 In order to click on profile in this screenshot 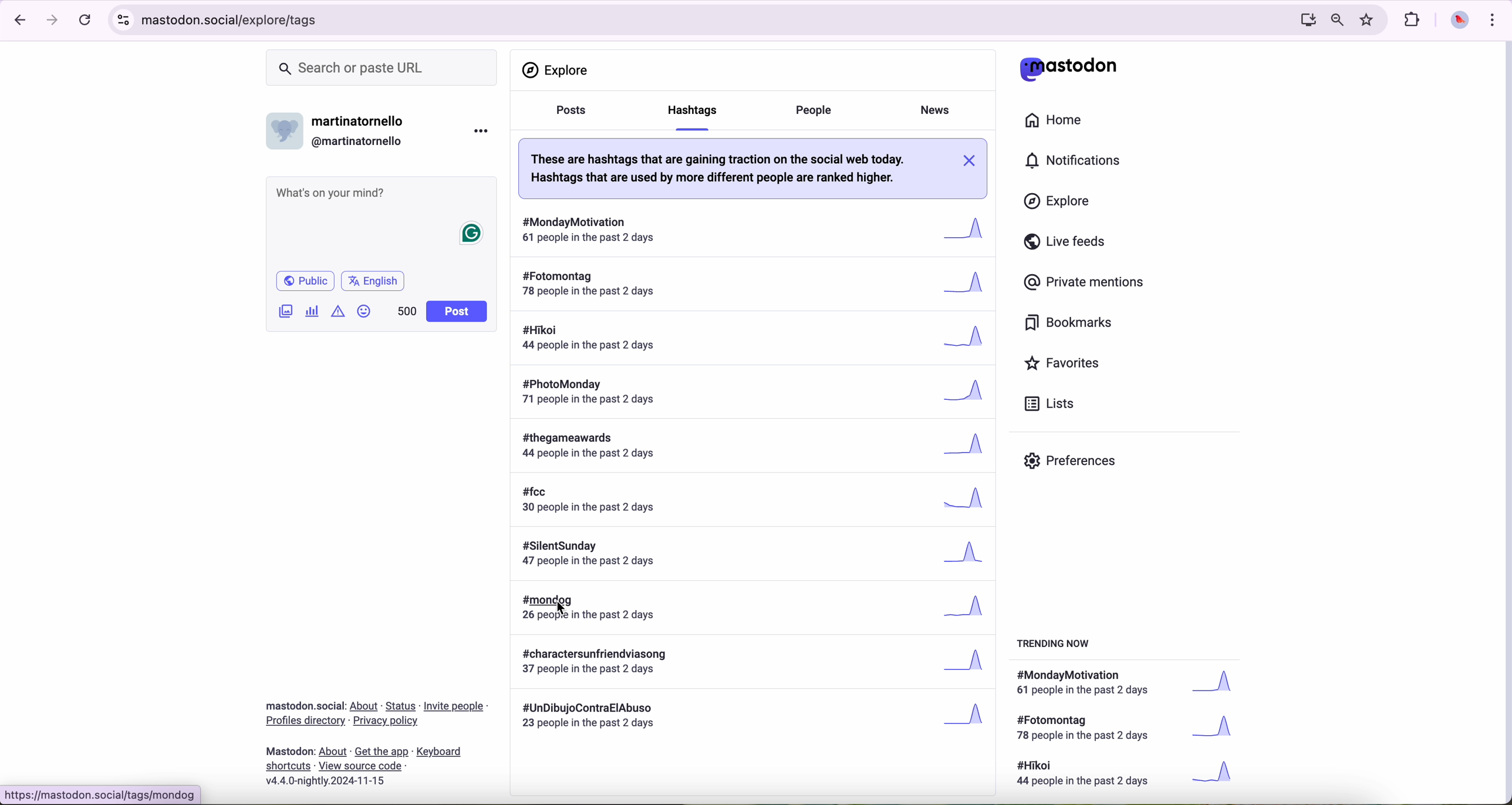, I will do `click(285, 135)`.